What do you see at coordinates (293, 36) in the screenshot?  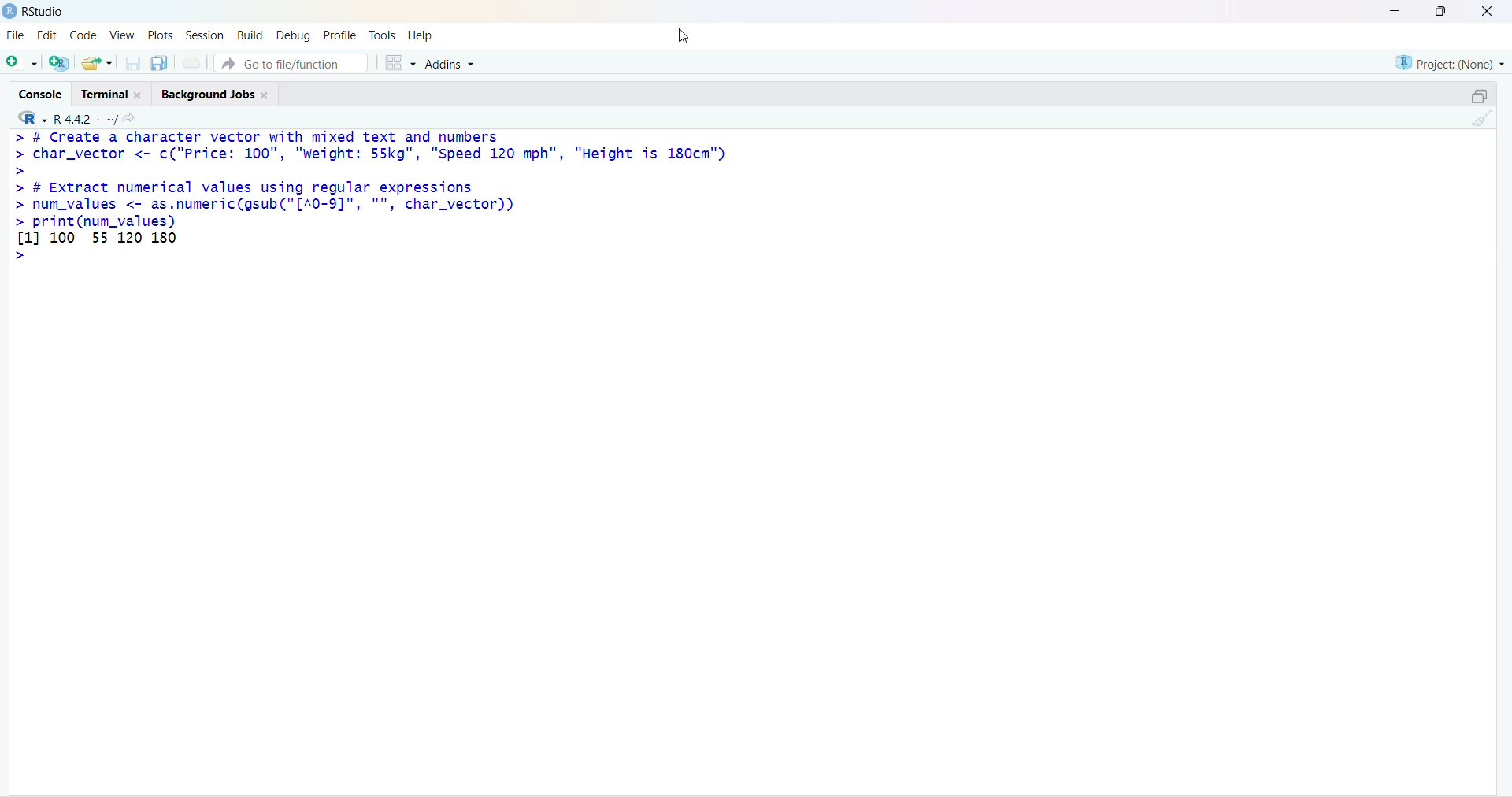 I see `debug` at bounding box center [293, 36].